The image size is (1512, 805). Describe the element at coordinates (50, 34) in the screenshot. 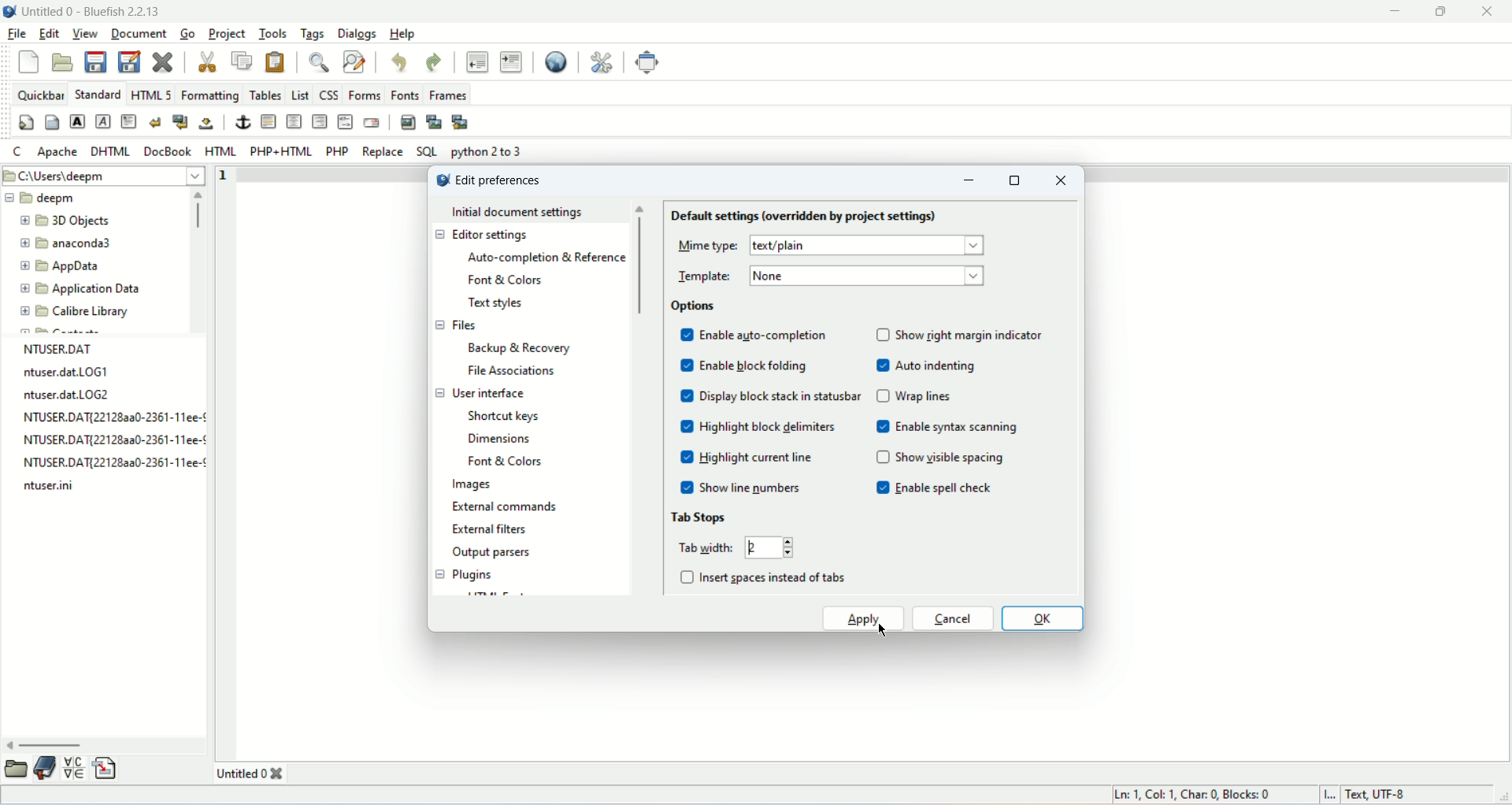

I see `edit` at that location.